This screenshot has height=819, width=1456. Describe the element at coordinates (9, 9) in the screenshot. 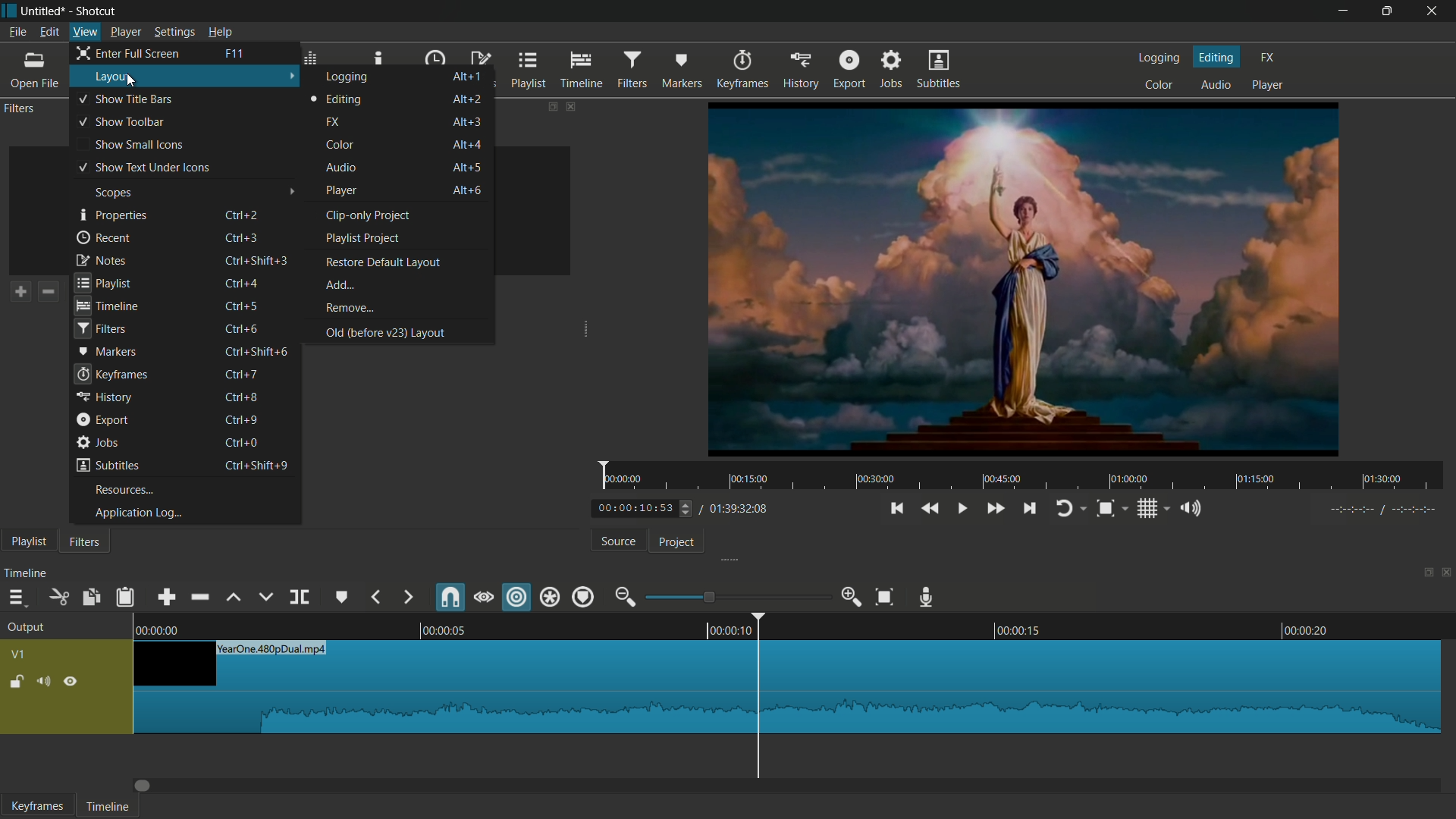

I see `app icon` at that location.